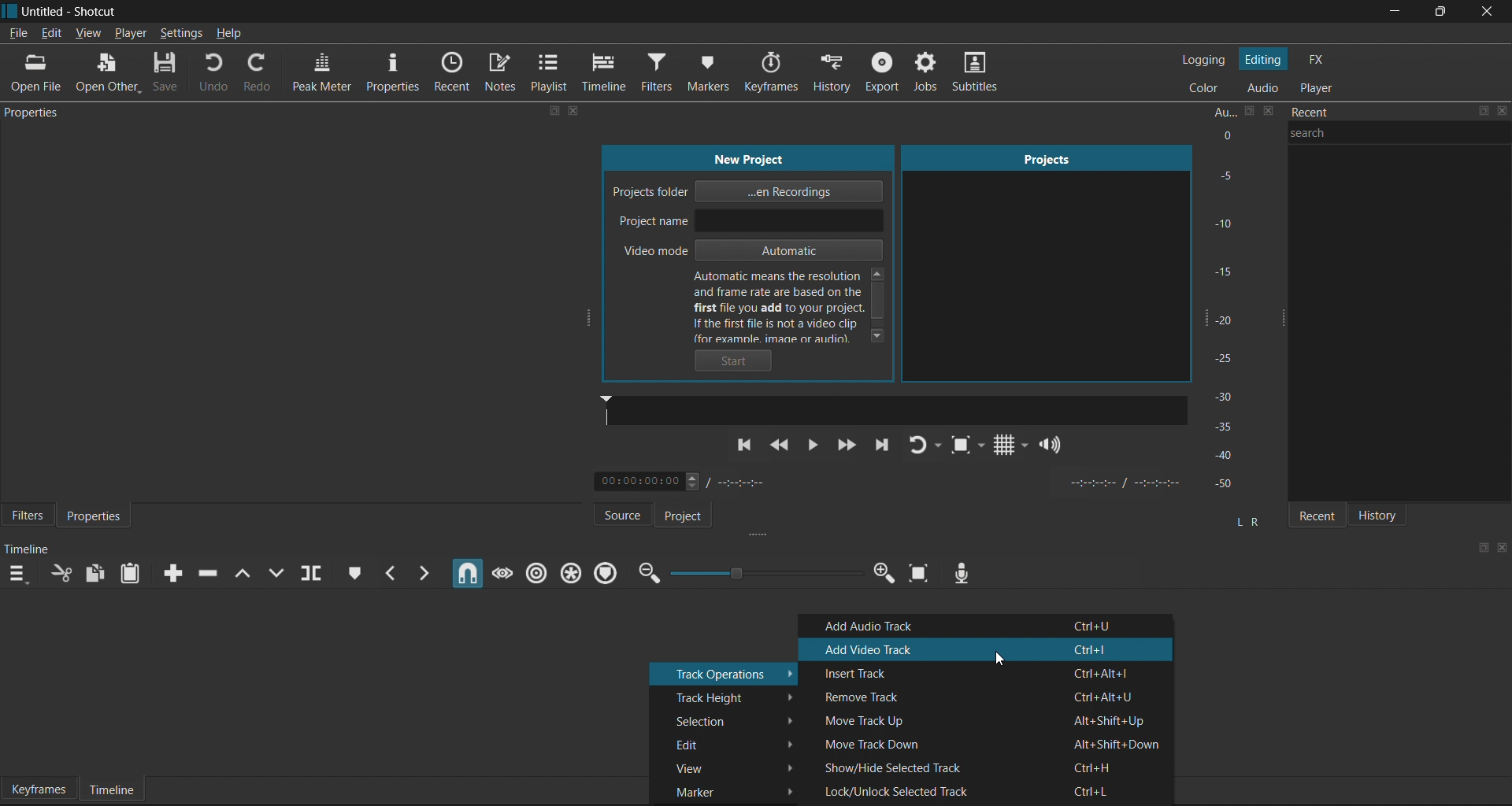 The image size is (1512, 806). What do you see at coordinates (1313, 512) in the screenshot?
I see `Recent` at bounding box center [1313, 512].